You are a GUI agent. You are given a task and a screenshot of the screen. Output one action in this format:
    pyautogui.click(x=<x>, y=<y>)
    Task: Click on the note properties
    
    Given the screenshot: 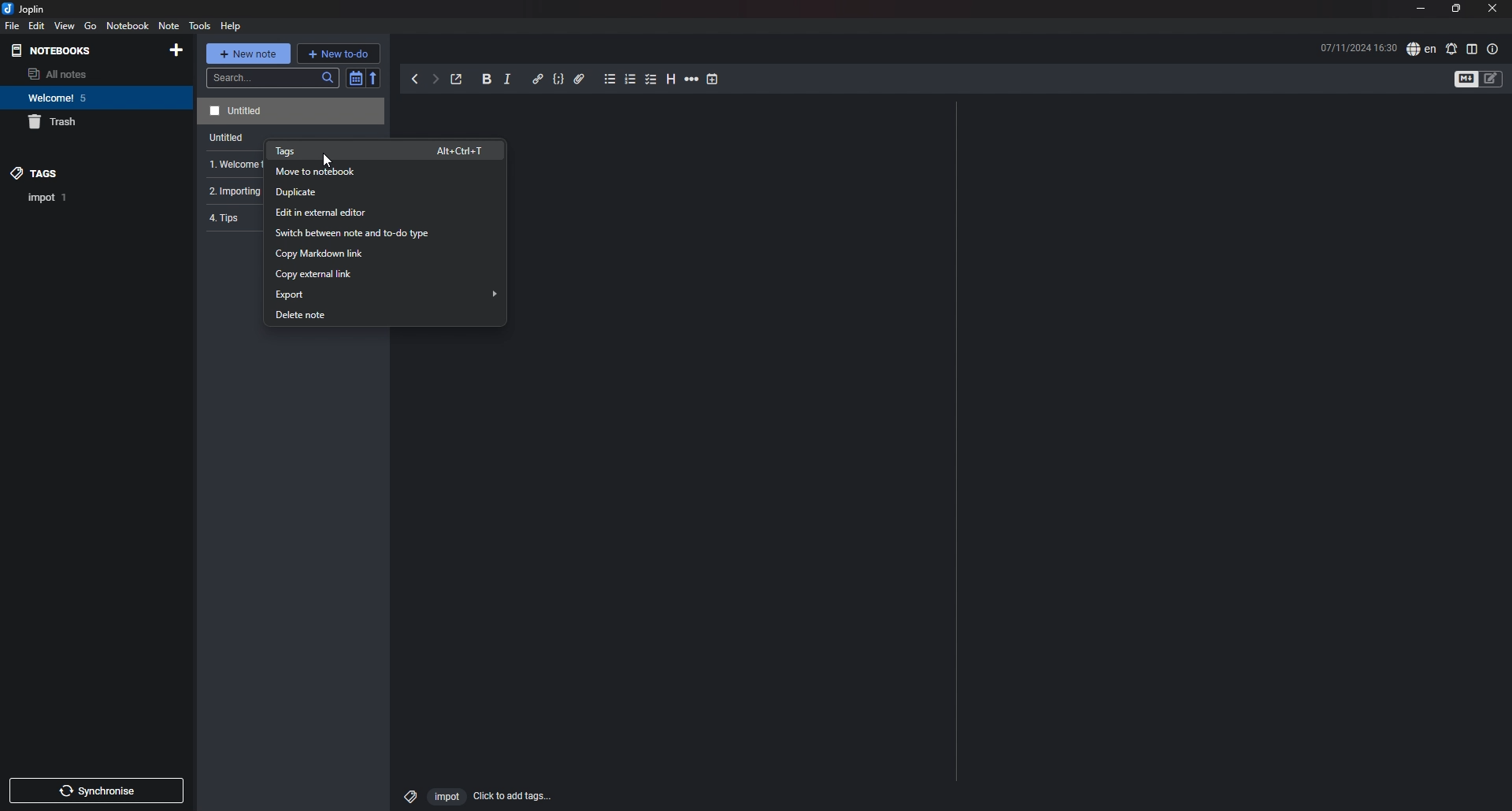 What is the action you would take?
    pyautogui.click(x=1492, y=49)
    